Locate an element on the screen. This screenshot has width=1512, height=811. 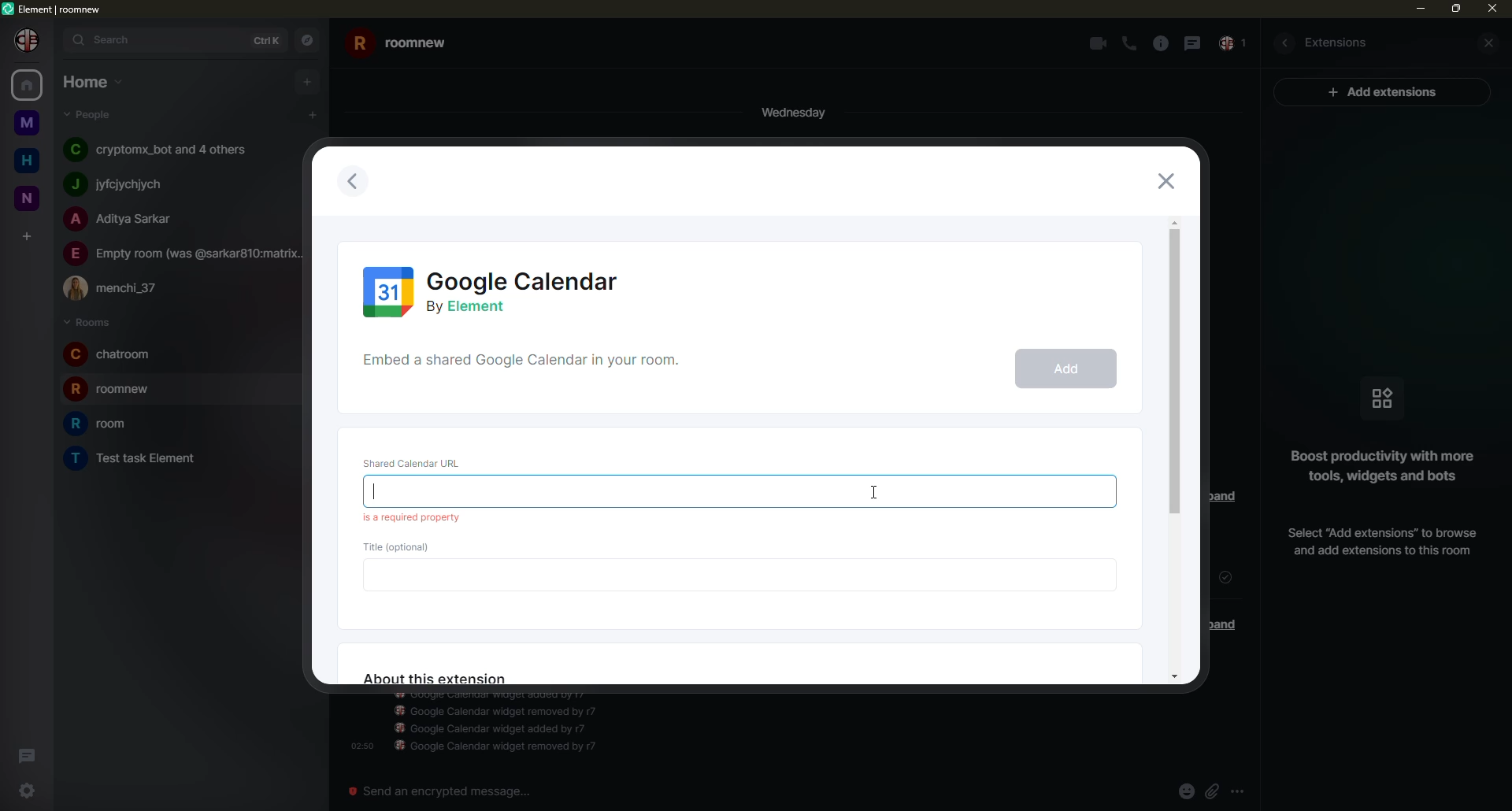
message is located at coordinates (1195, 44).